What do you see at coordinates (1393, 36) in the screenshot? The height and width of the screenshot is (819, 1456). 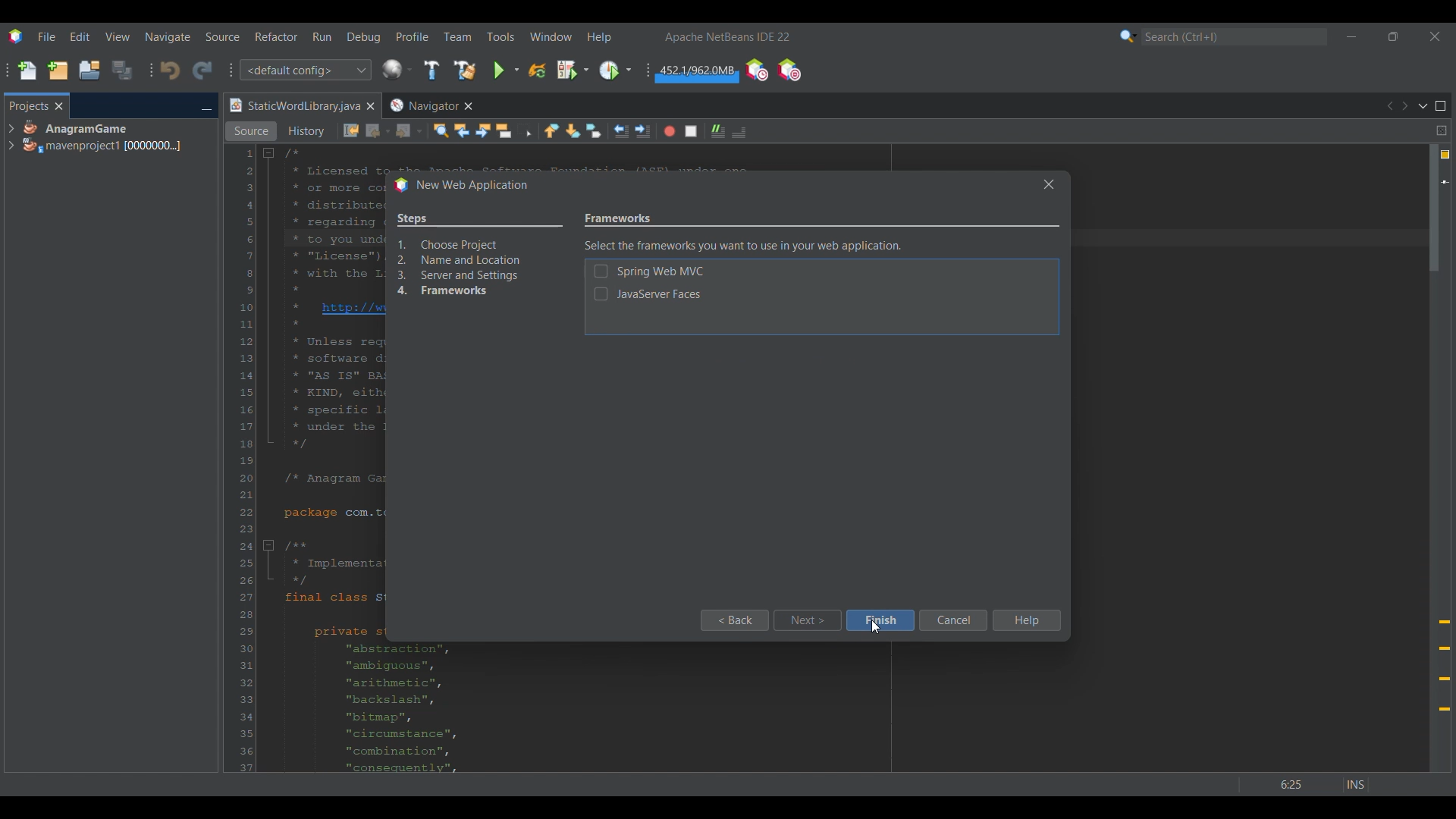 I see `Show in smaller tab` at bounding box center [1393, 36].